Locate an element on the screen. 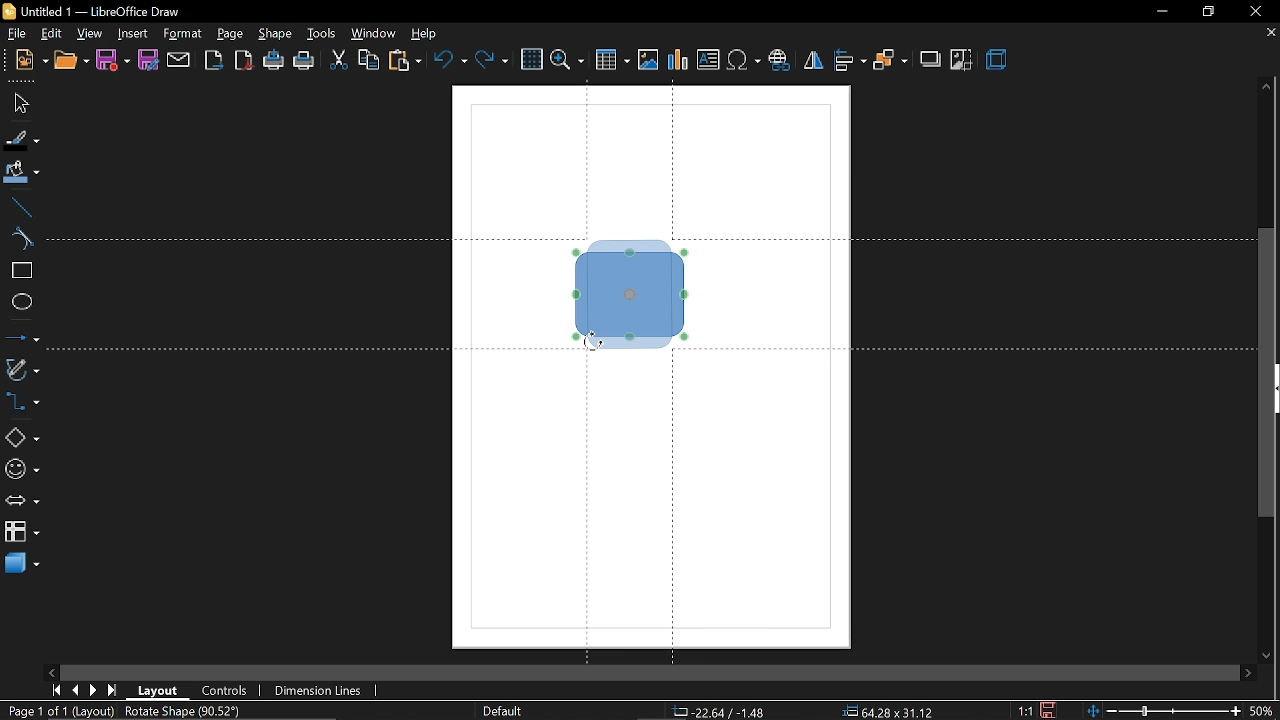 This screenshot has width=1280, height=720. window is located at coordinates (375, 34).